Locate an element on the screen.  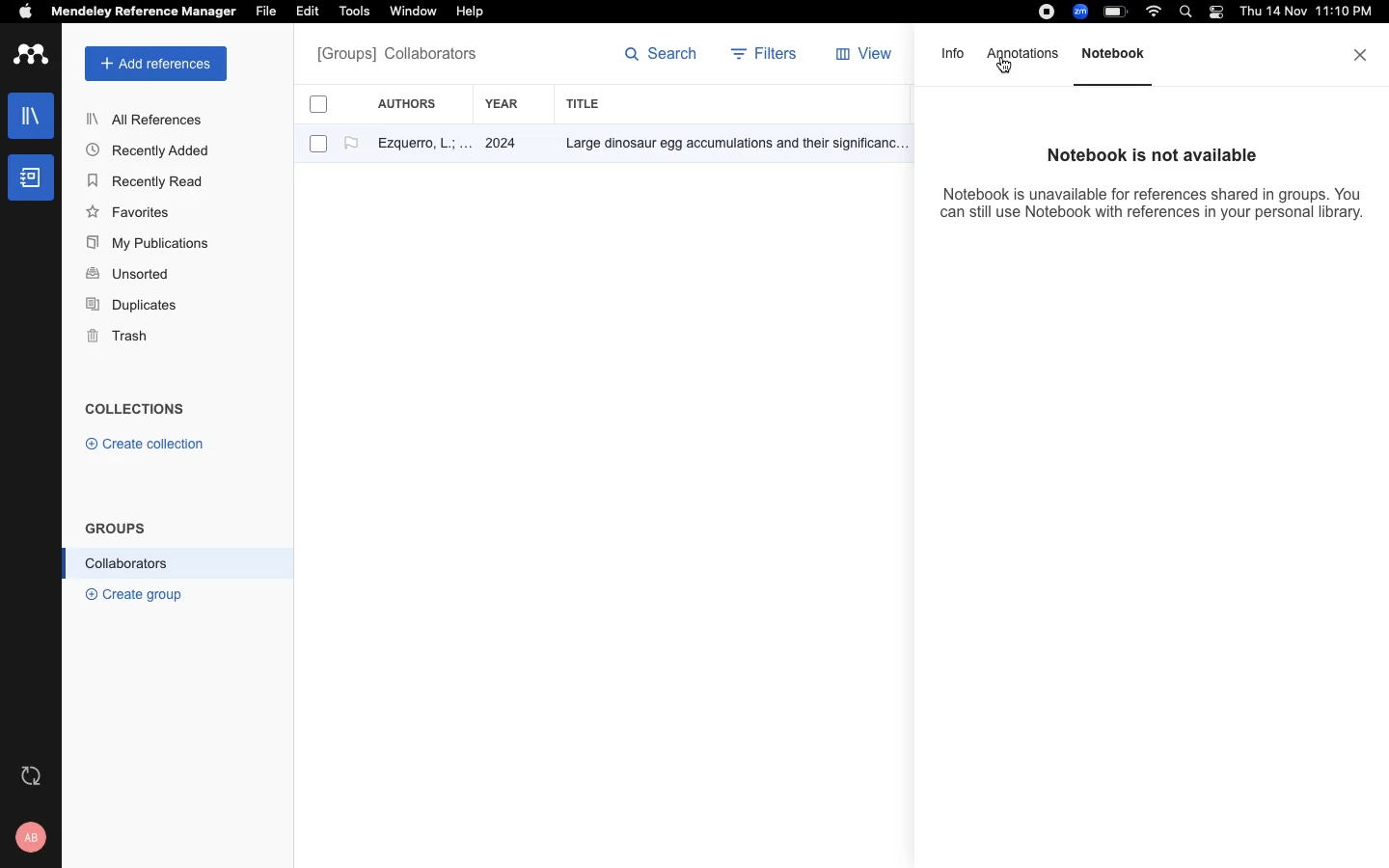
info is located at coordinates (954, 60).